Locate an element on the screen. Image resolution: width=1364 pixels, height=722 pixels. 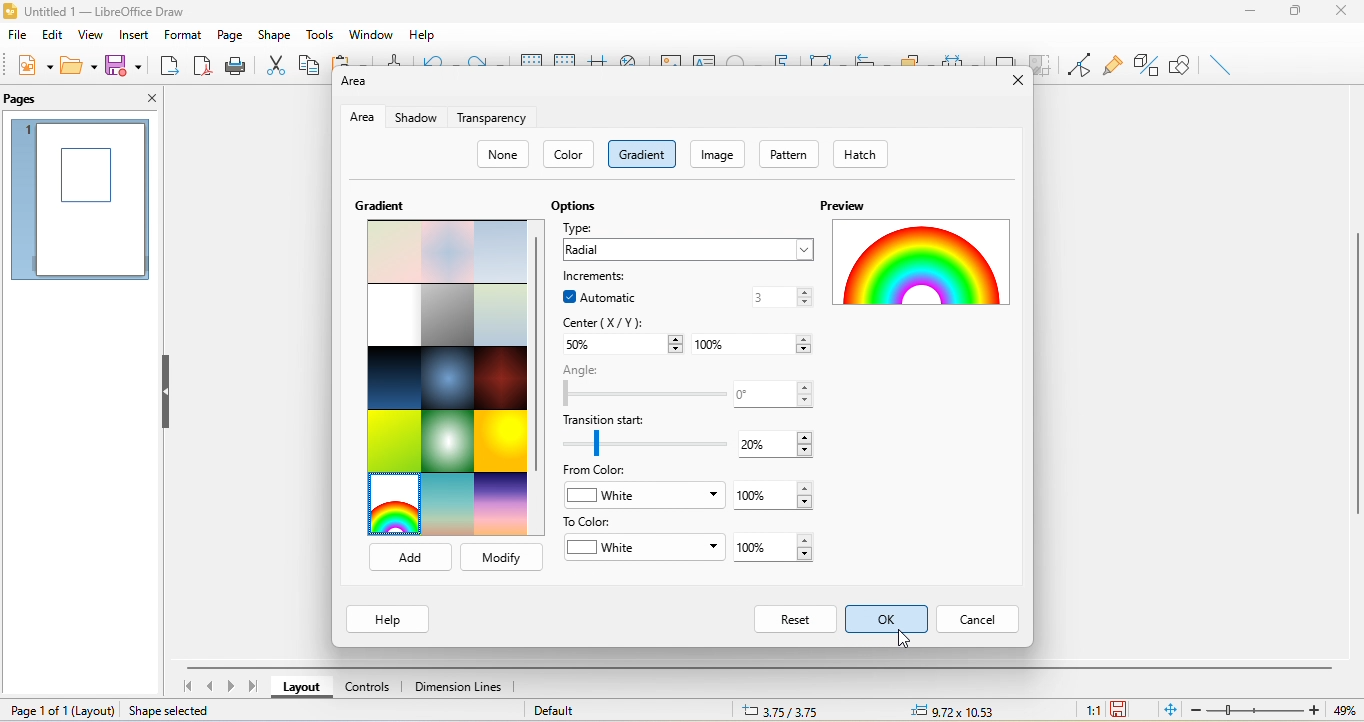
blue touch is located at coordinates (502, 252).